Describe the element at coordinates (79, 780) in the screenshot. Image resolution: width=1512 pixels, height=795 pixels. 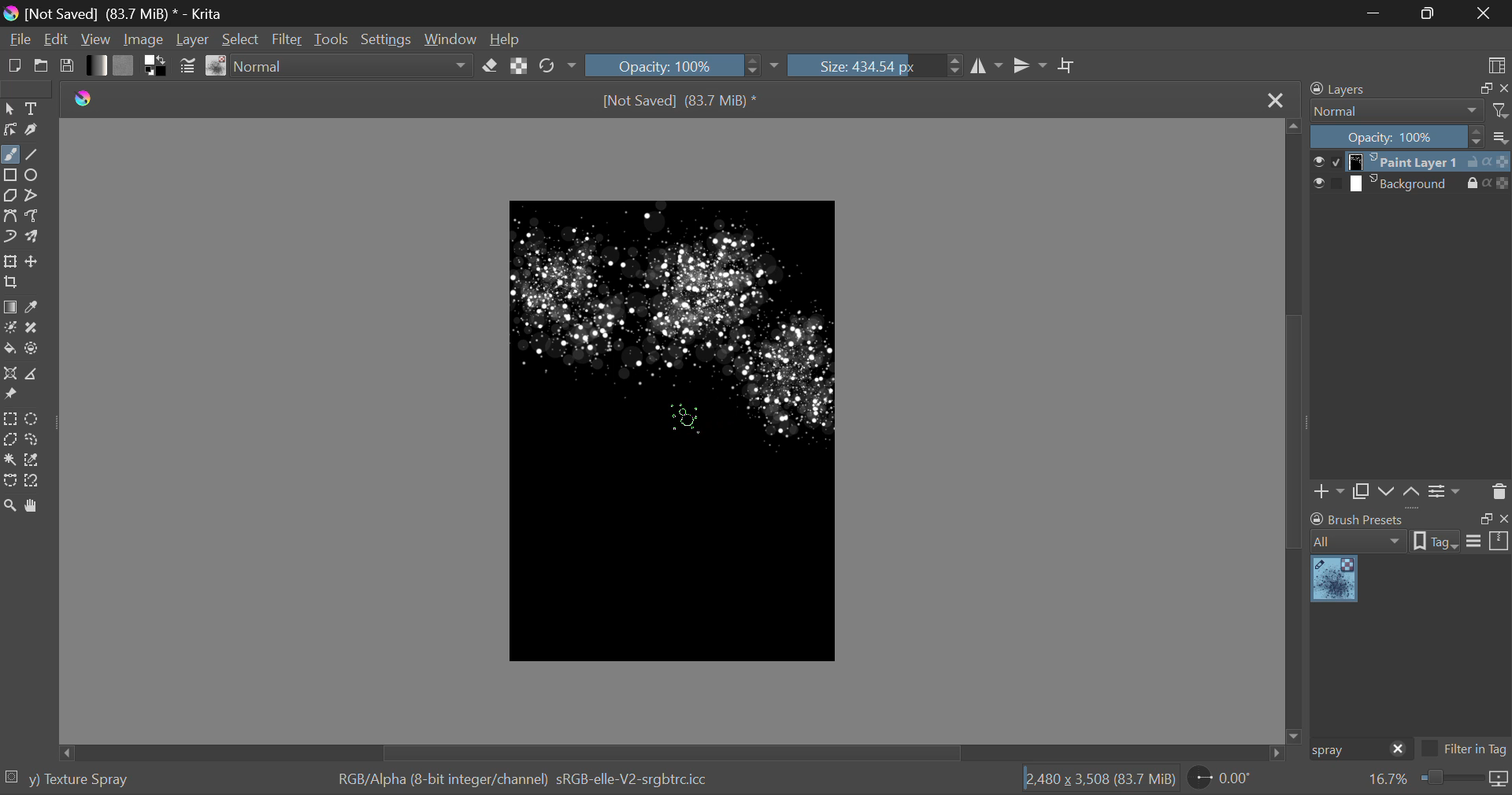
I see `y) Texture Spray` at that location.